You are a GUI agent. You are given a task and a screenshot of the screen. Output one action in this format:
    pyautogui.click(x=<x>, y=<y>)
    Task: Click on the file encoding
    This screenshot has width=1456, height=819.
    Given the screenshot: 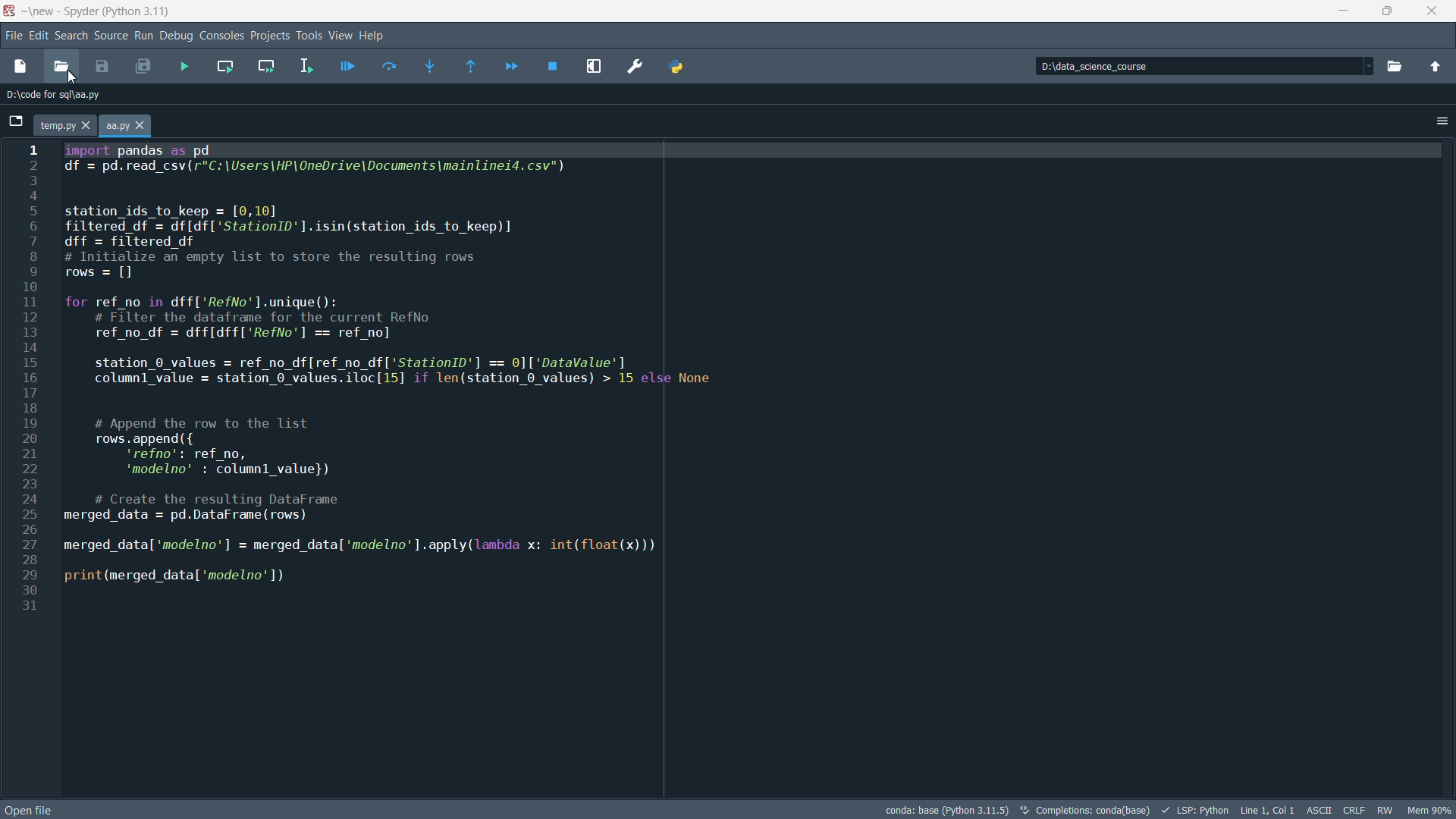 What is the action you would take?
    pyautogui.click(x=1319, y=808)
    